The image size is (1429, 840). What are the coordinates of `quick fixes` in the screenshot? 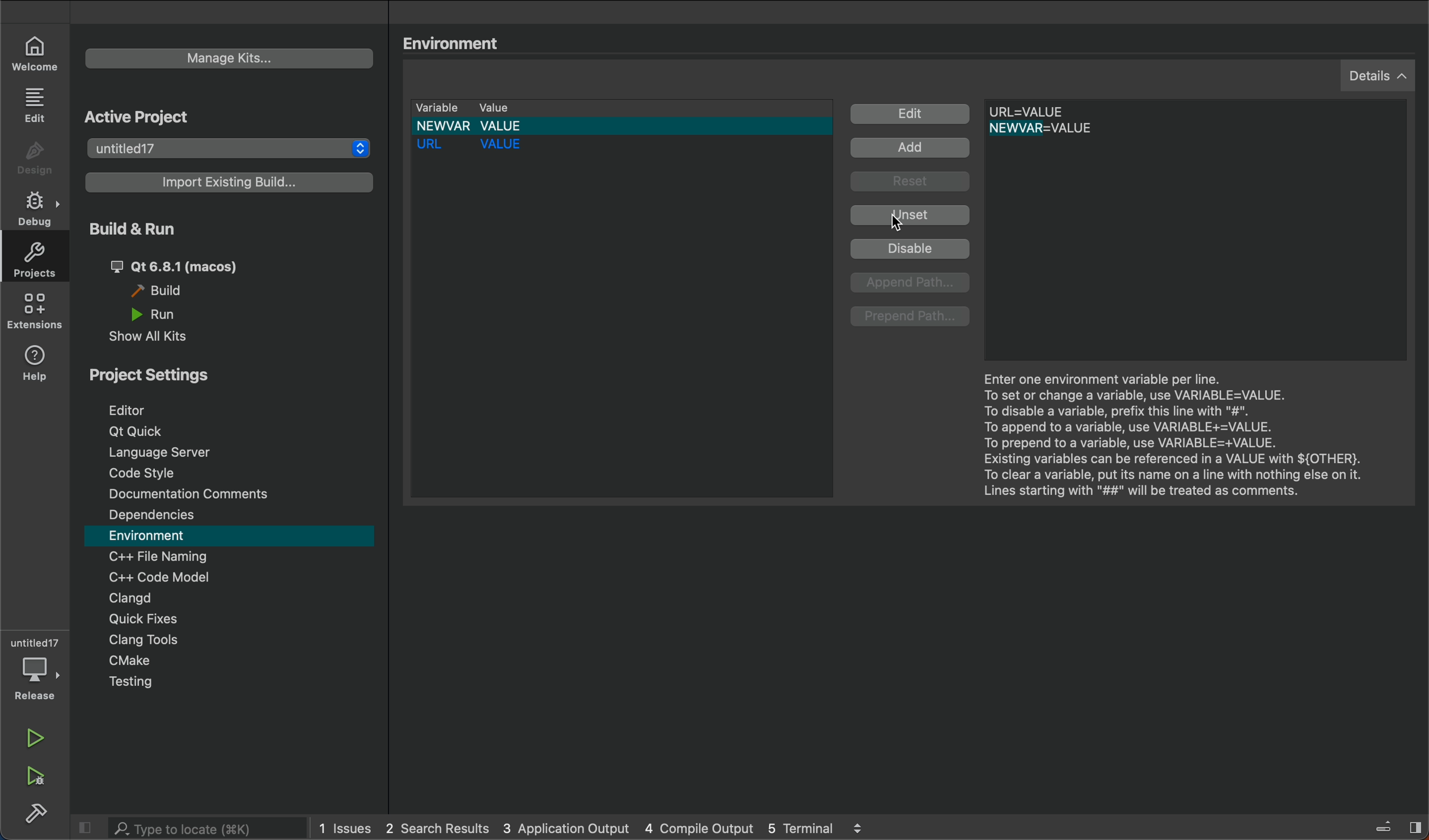 It's located at (141, 619).